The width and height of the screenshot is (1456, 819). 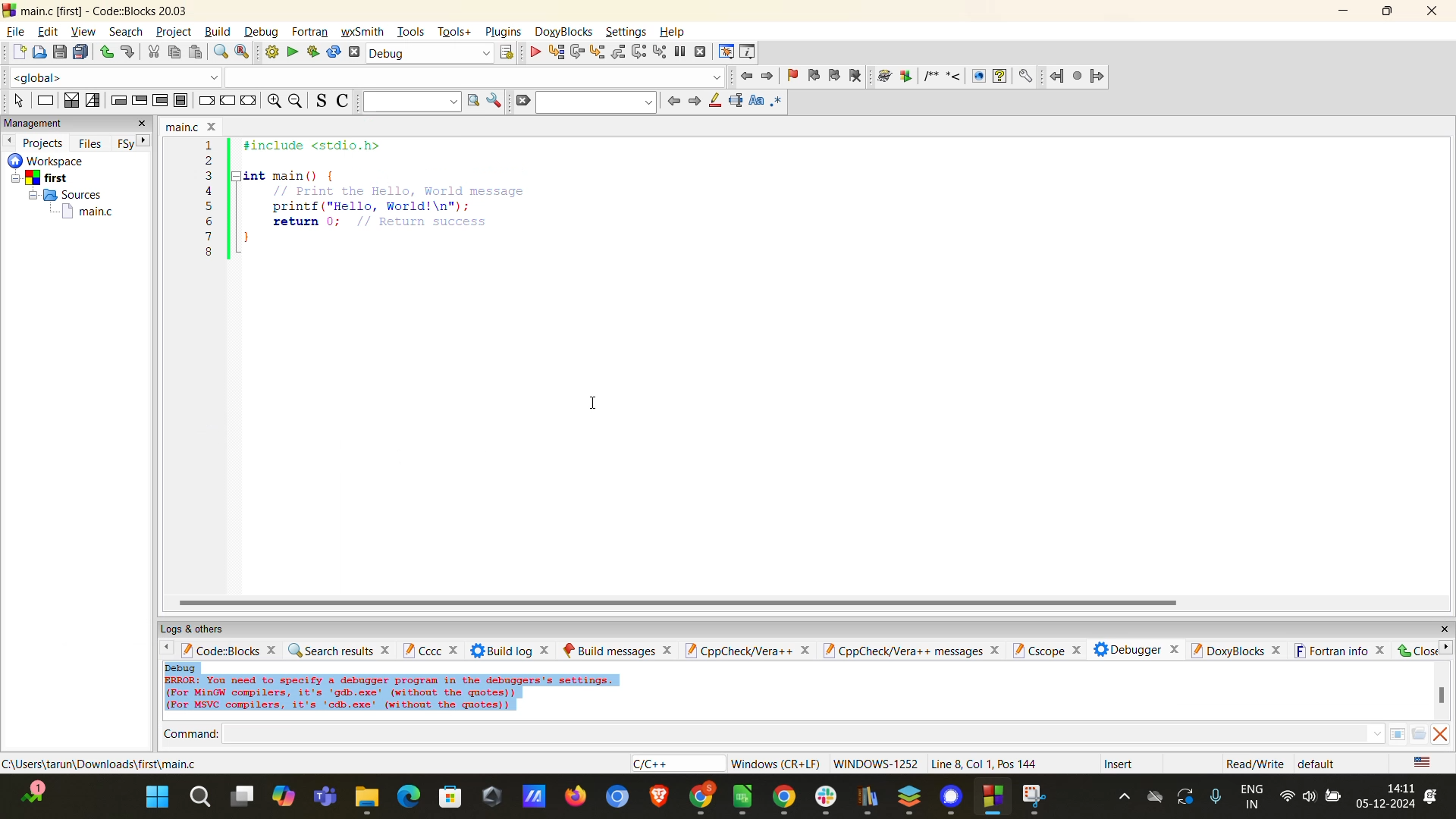 What do you see at coordinates (1186, 798) in the screenshot?
I see `update` at bounding box center [1186, 798].